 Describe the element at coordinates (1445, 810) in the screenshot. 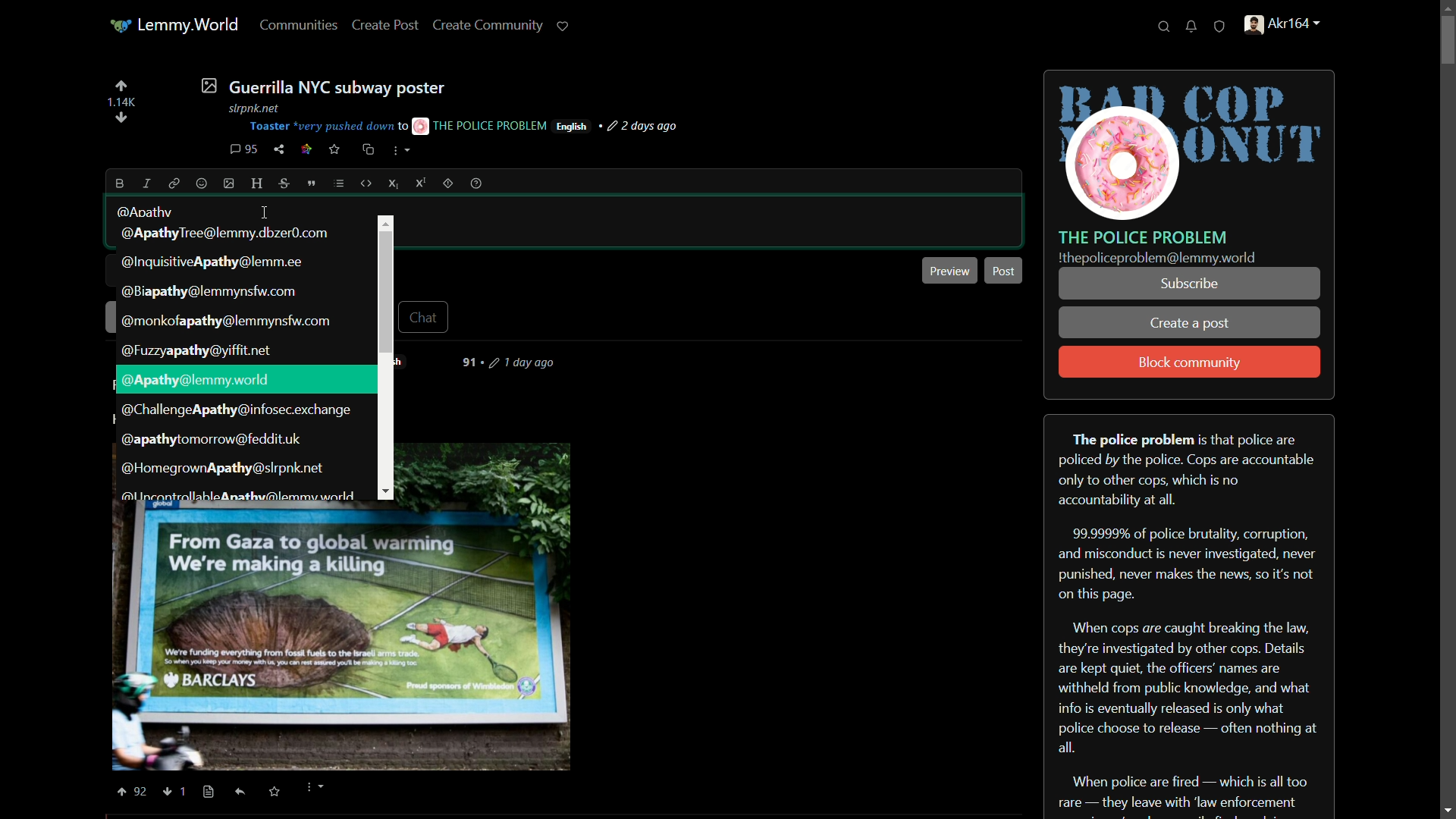

I see `scroll down` at that location.